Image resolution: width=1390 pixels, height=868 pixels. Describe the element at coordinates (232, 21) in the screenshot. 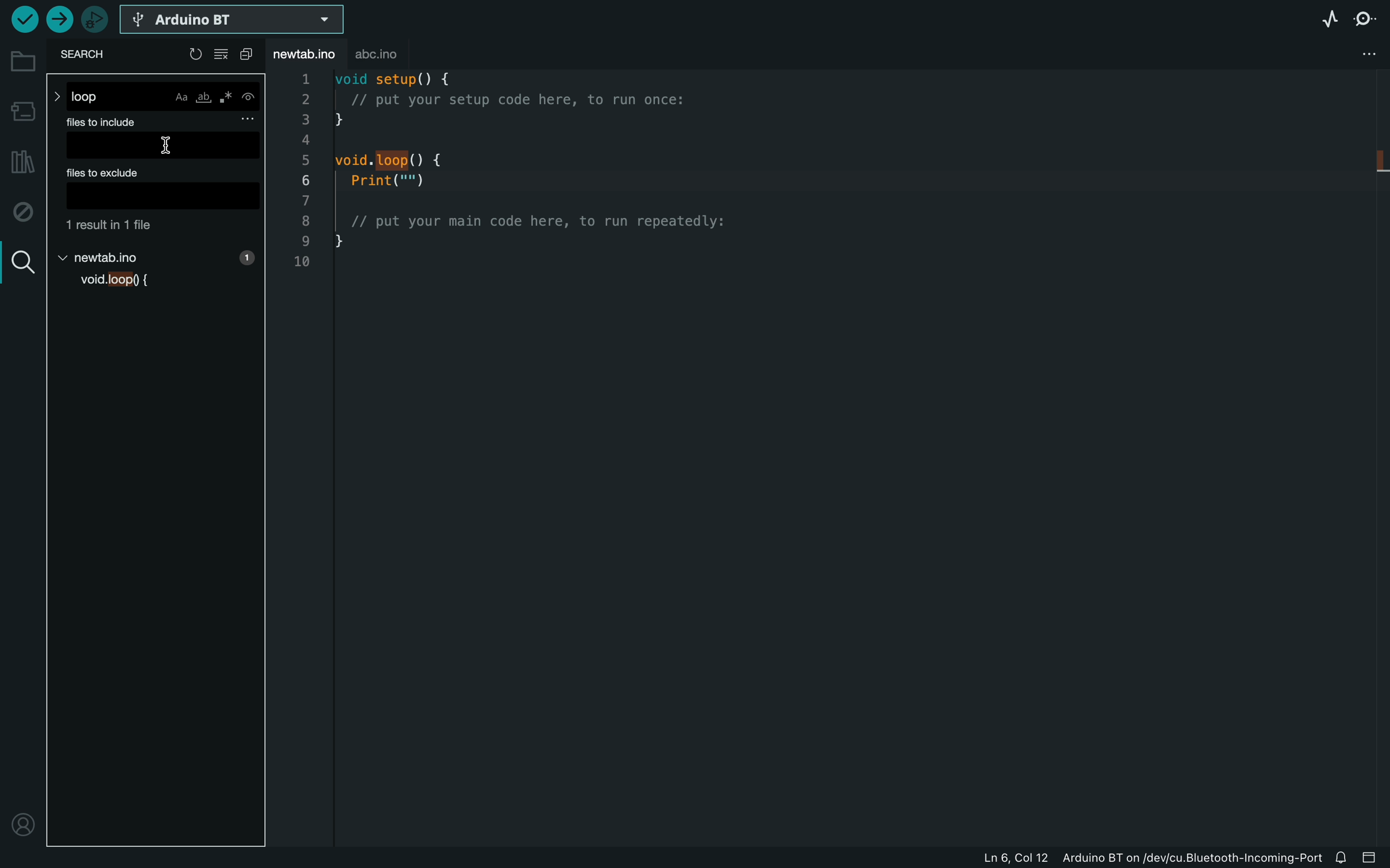

I see `select board` at that location.